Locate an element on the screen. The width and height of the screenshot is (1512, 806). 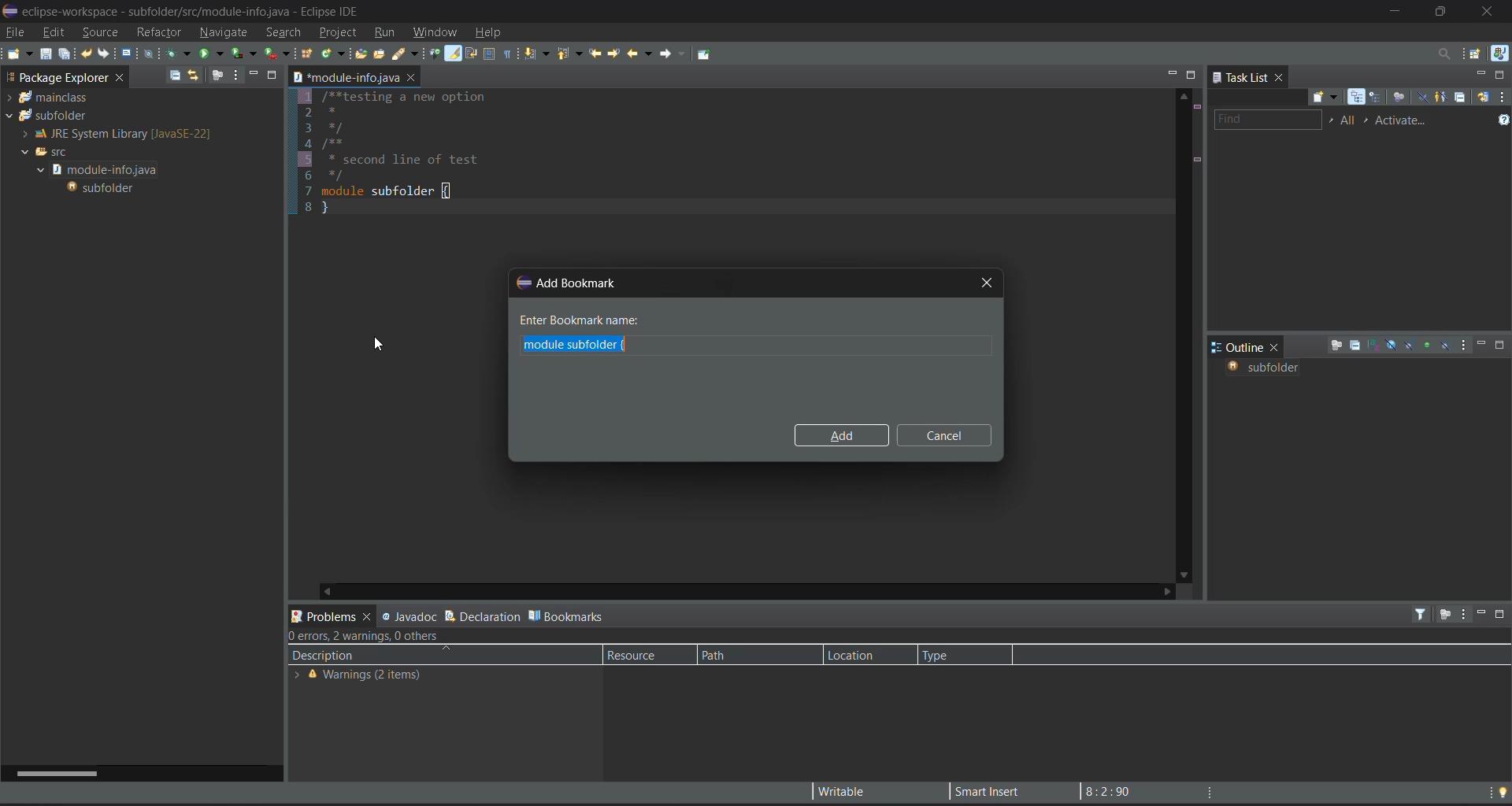
eclipse logo is located at coordinates (9, 8).